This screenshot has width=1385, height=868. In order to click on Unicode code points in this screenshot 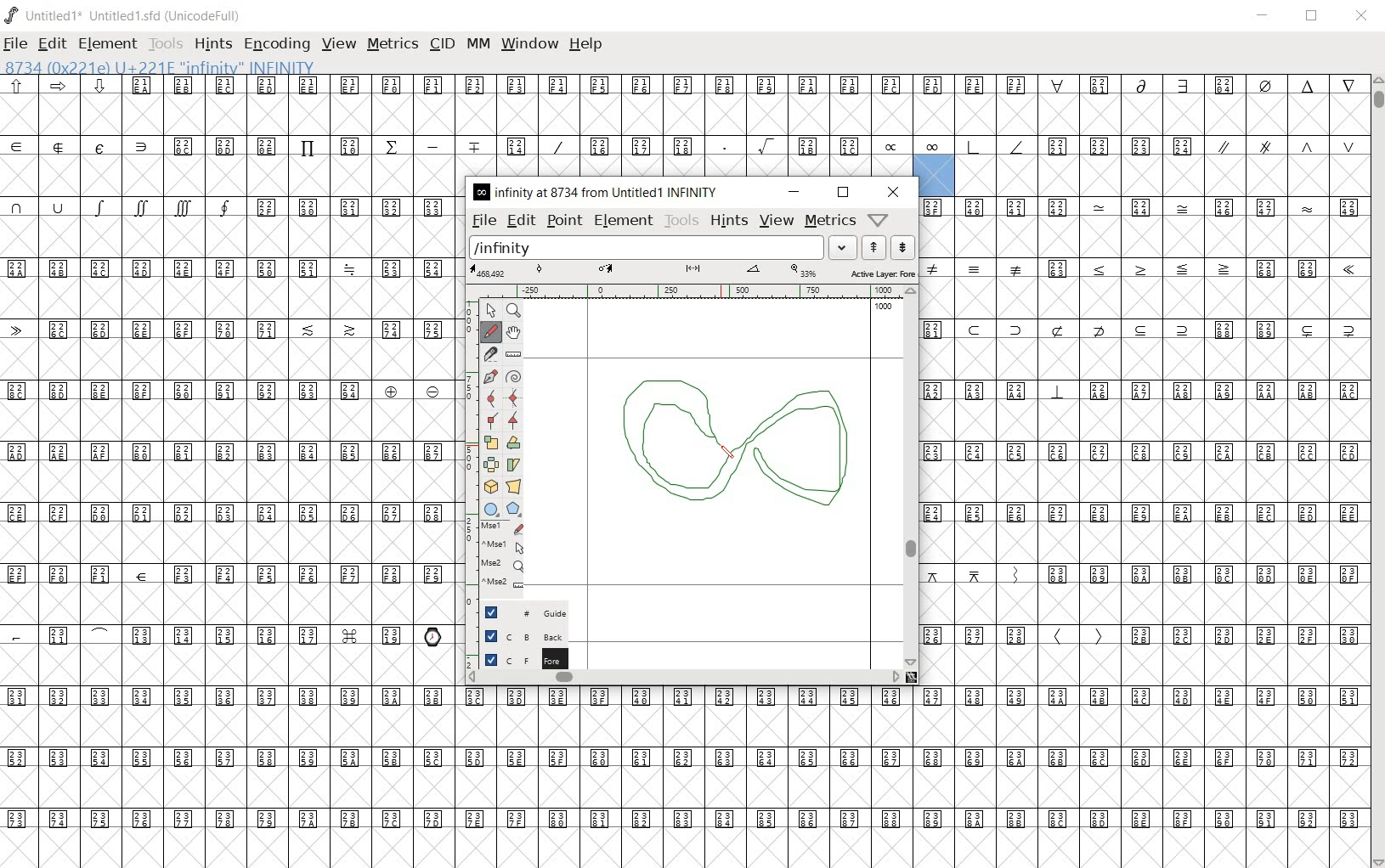, I will do `click(740, 85)`.